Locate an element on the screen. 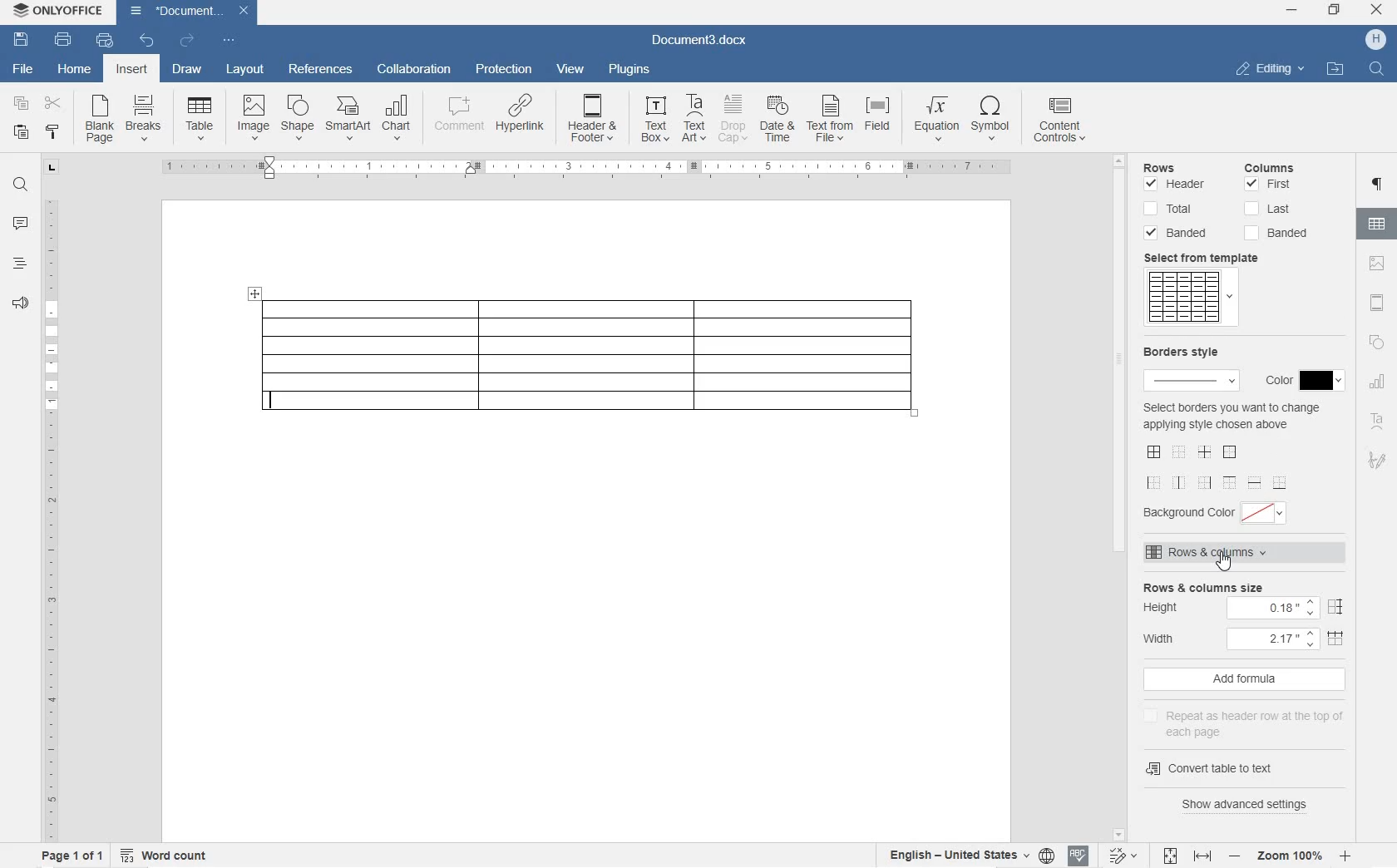  VIEW is located at coordinates (571, 70).